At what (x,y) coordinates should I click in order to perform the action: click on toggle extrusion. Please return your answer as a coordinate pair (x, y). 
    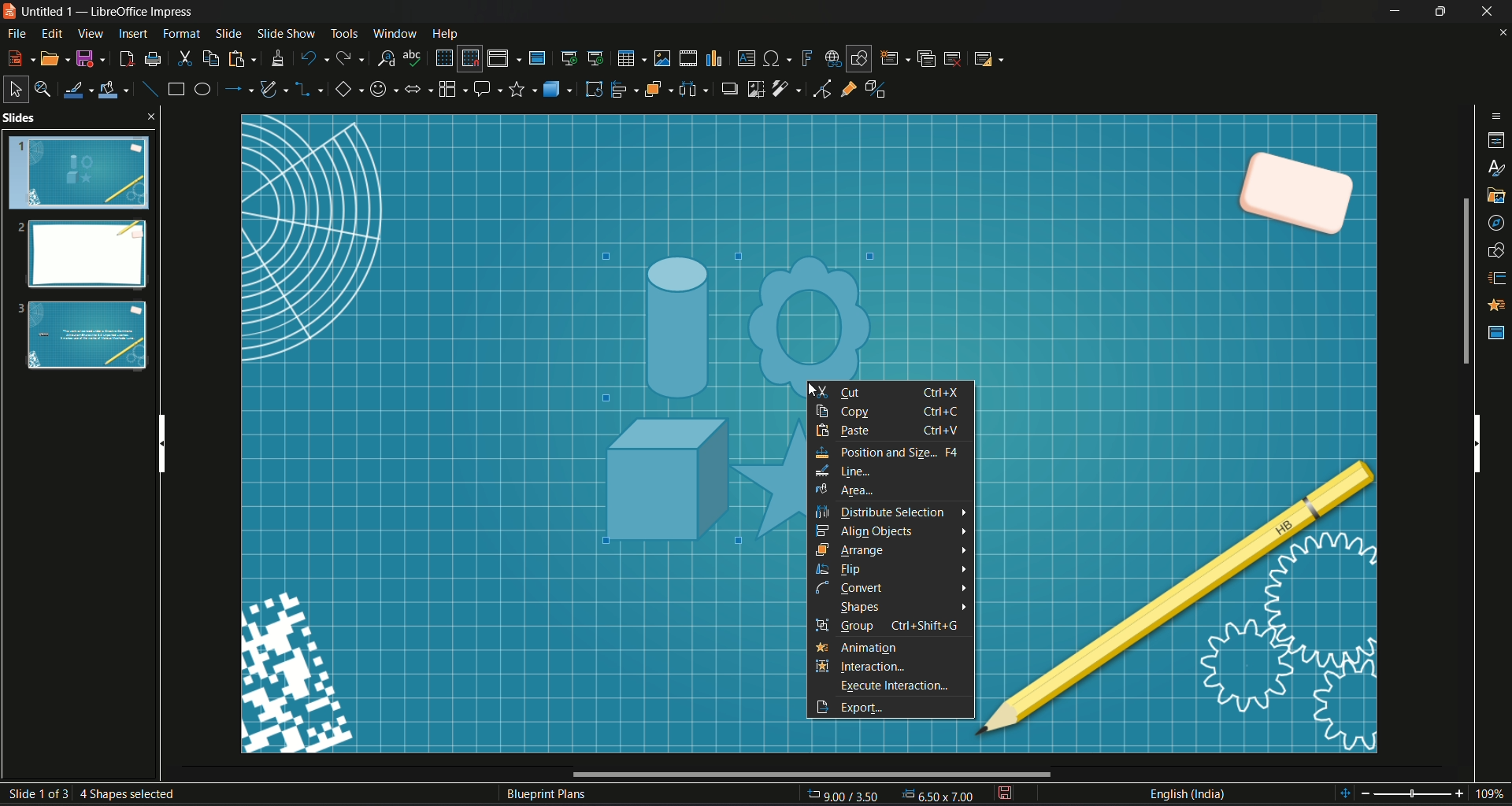
    Looking at the image, I should click on (880, 89).